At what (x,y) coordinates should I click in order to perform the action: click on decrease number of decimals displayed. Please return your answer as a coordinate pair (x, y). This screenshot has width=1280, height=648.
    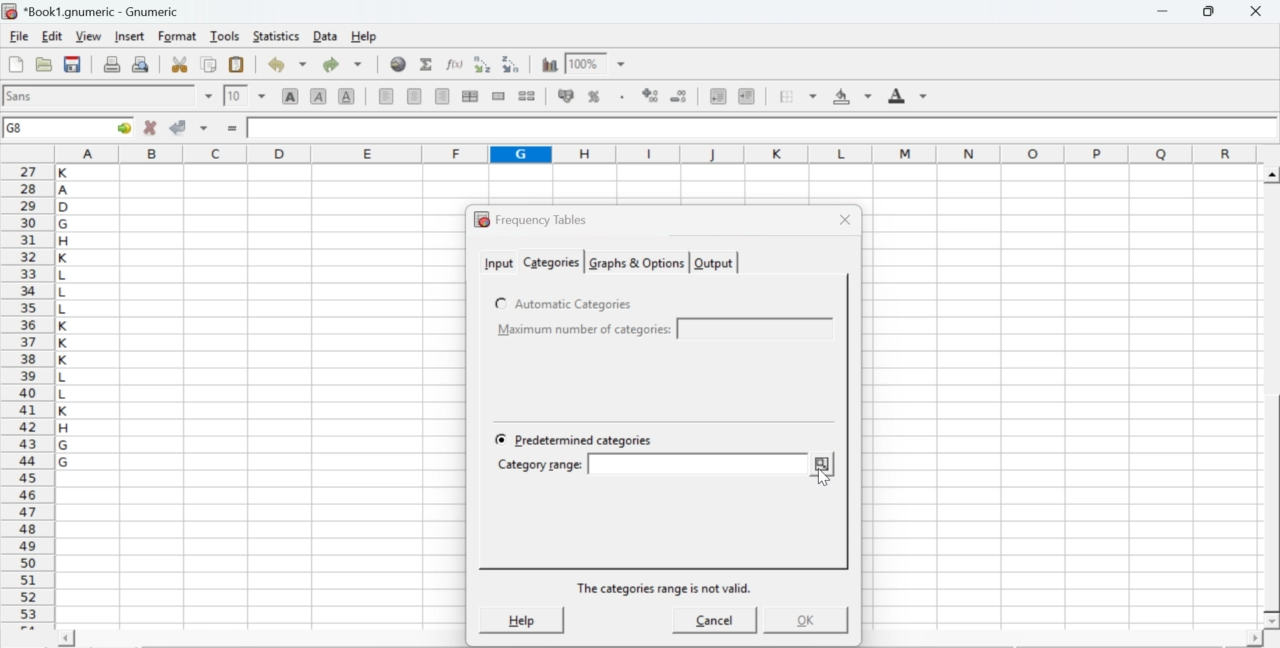
    Looking at the image, I should click on (678, 97).